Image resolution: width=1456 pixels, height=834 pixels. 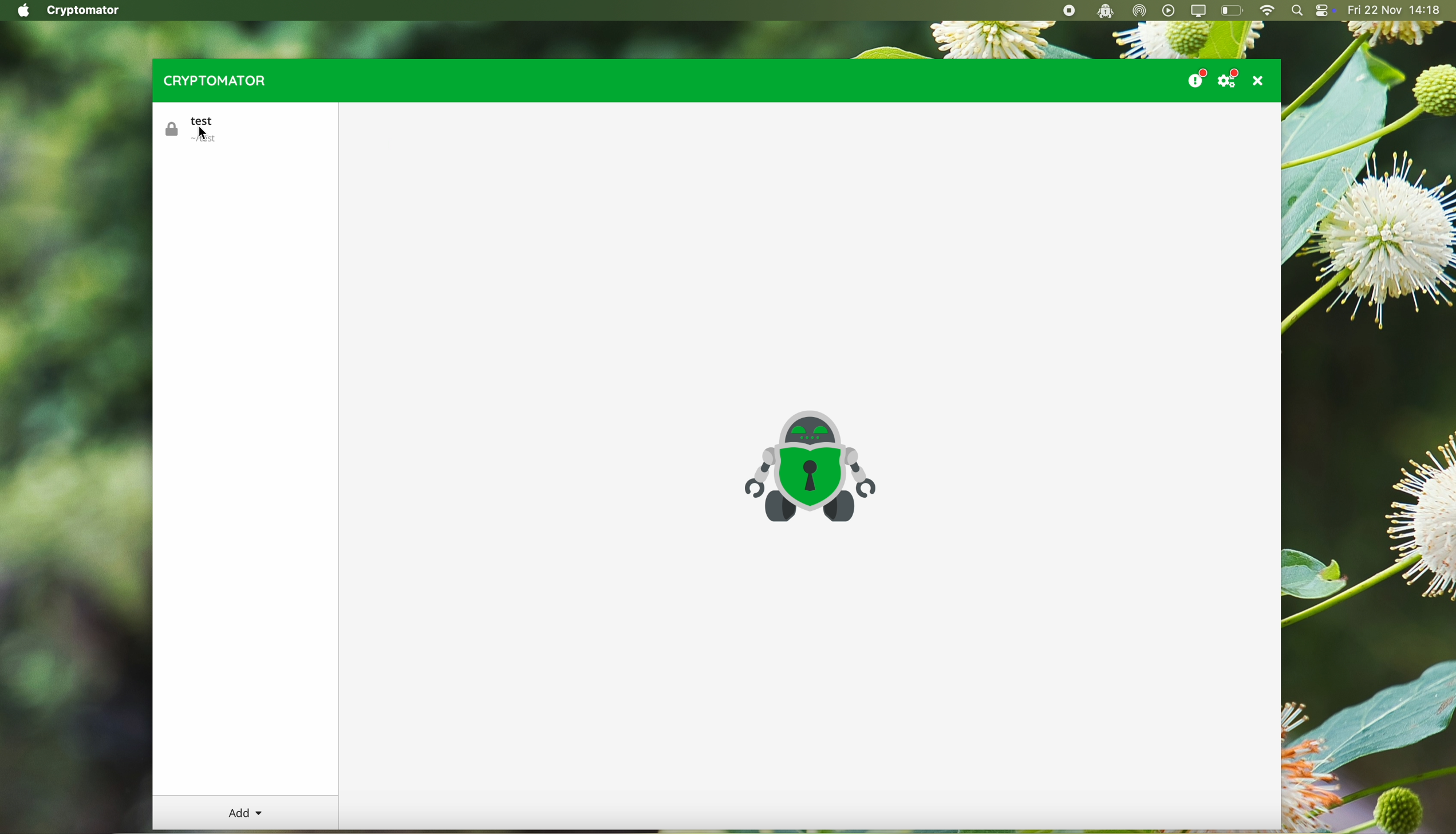 I want to click on airdrop, so click(x=1141, y=11).